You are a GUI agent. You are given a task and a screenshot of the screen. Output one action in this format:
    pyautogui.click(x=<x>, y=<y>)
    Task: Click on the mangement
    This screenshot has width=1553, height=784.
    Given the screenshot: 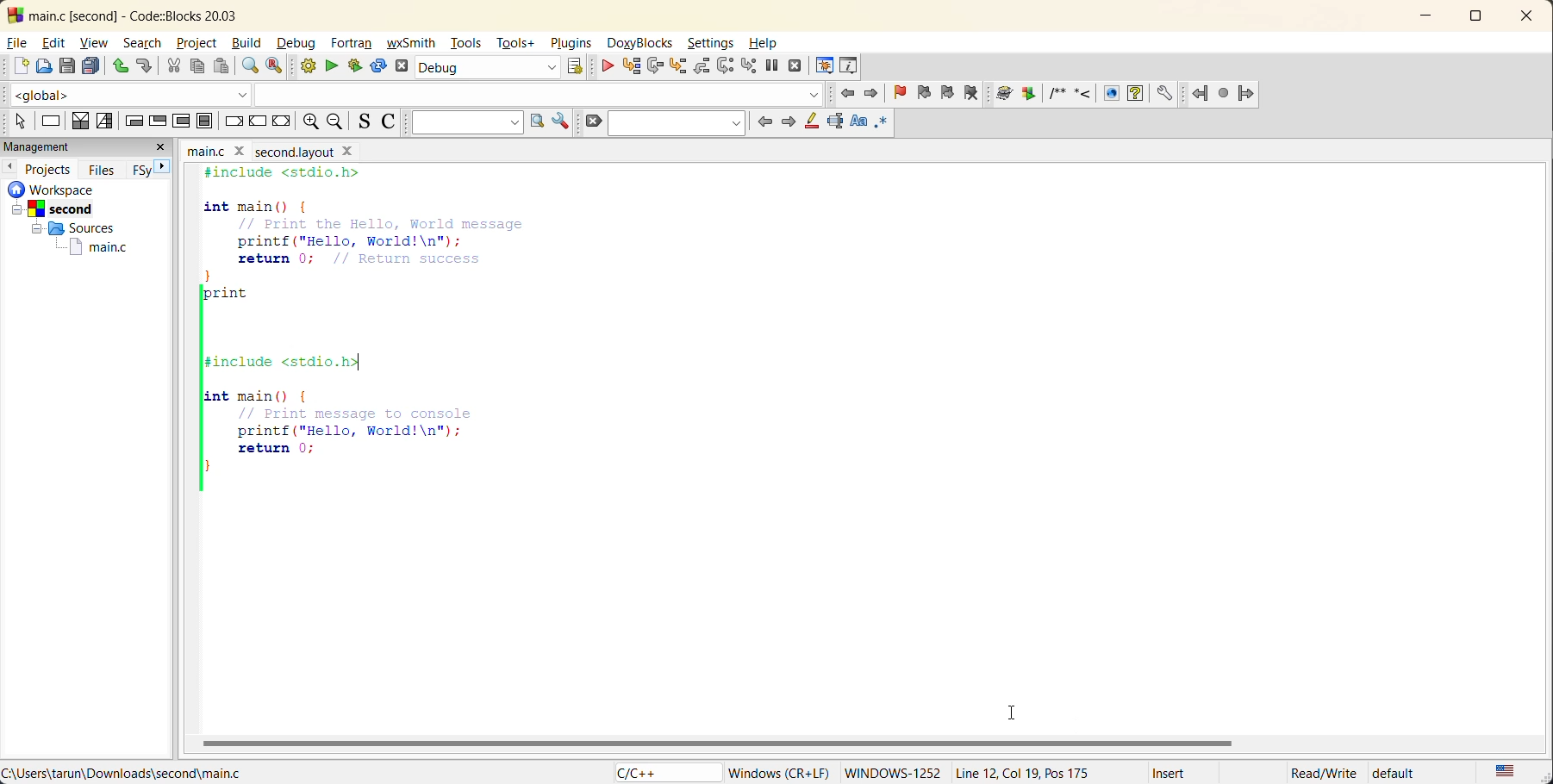 What is the action you would take?
    pyautogui.click(x=48, y=145)
    